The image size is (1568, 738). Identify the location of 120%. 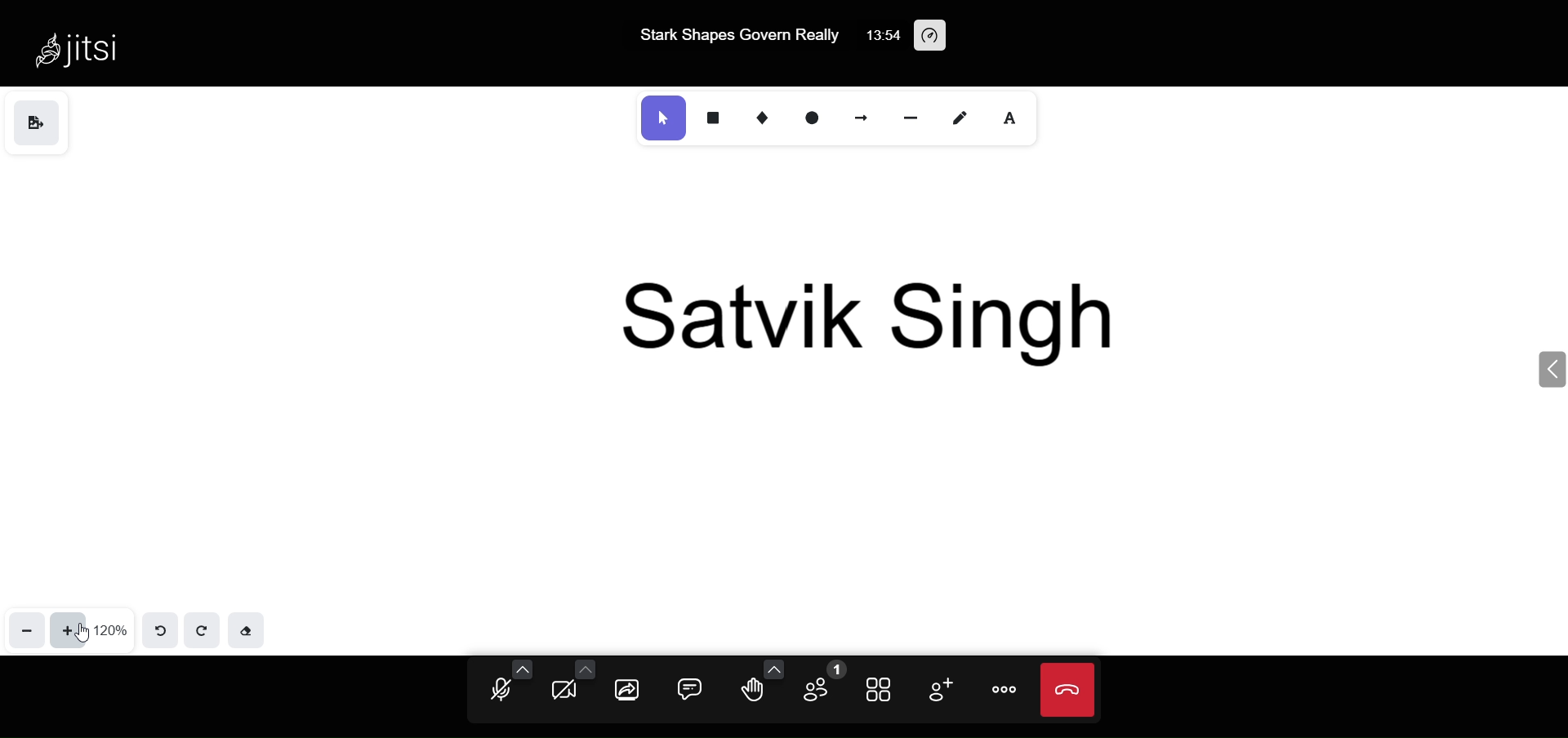
(114, 629).